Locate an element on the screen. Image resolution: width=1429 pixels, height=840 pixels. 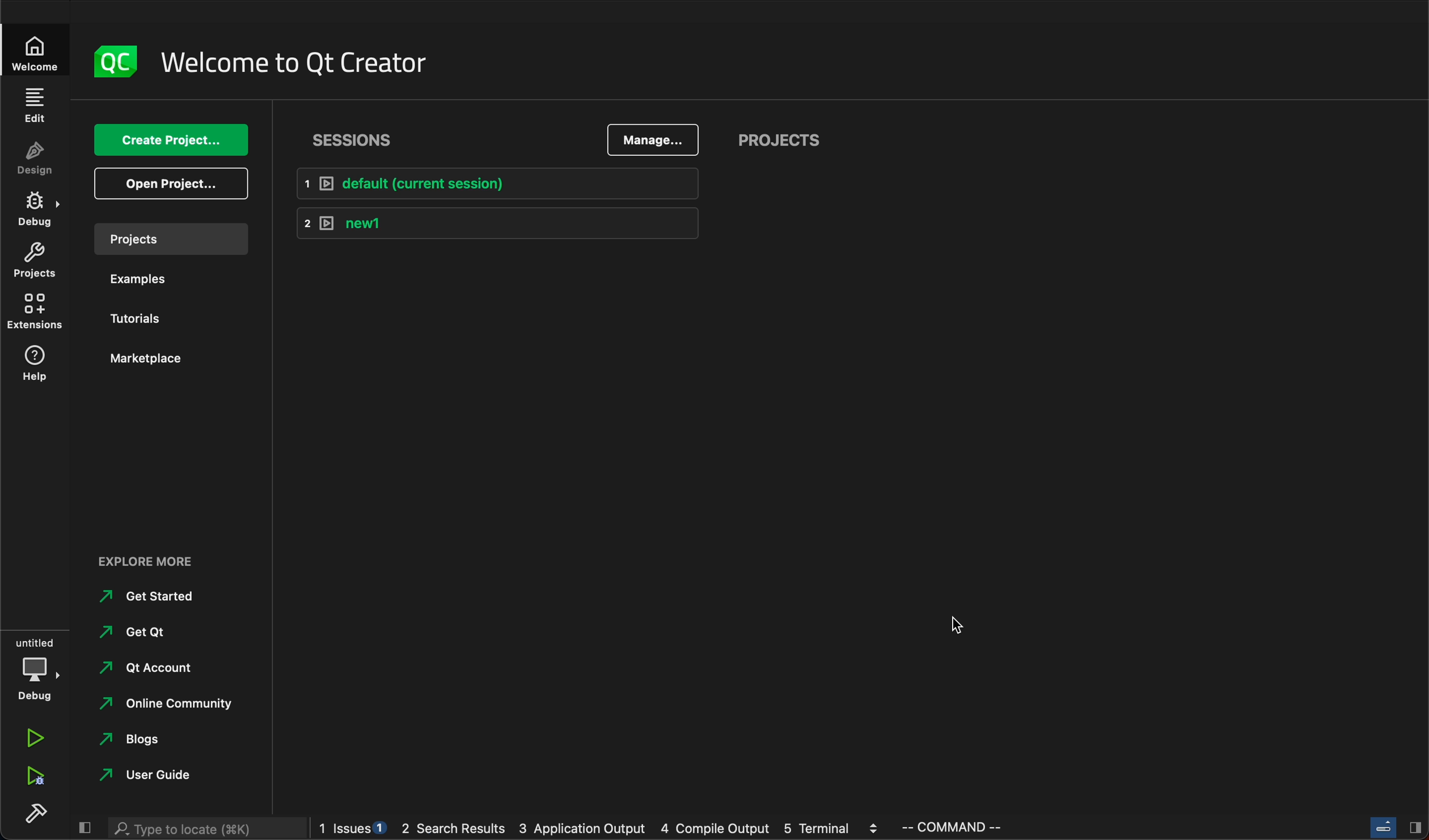
debug is located at coordinates (33, 670).